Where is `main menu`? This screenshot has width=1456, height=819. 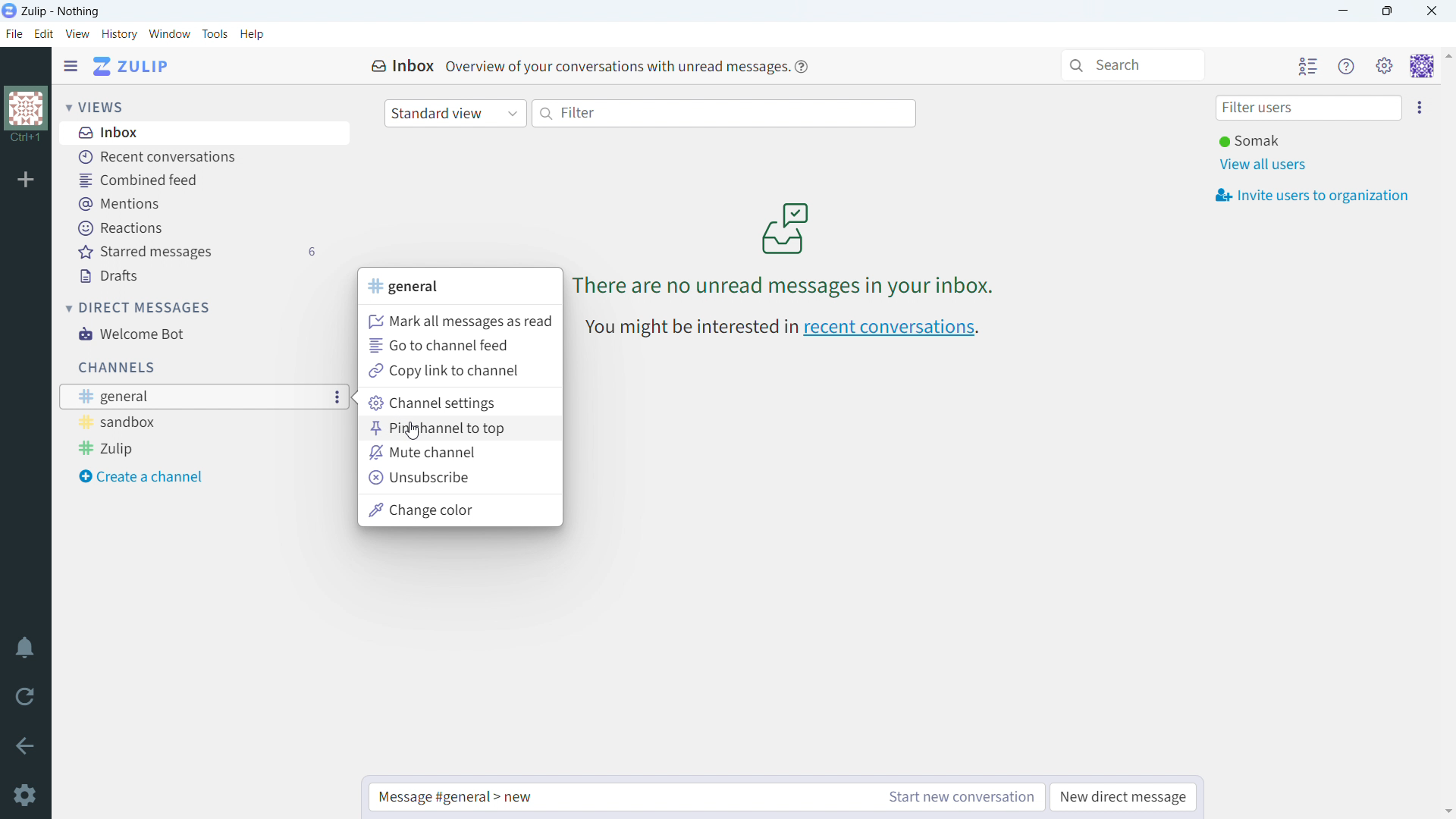
main menu is located at coordinates (1385, 67).